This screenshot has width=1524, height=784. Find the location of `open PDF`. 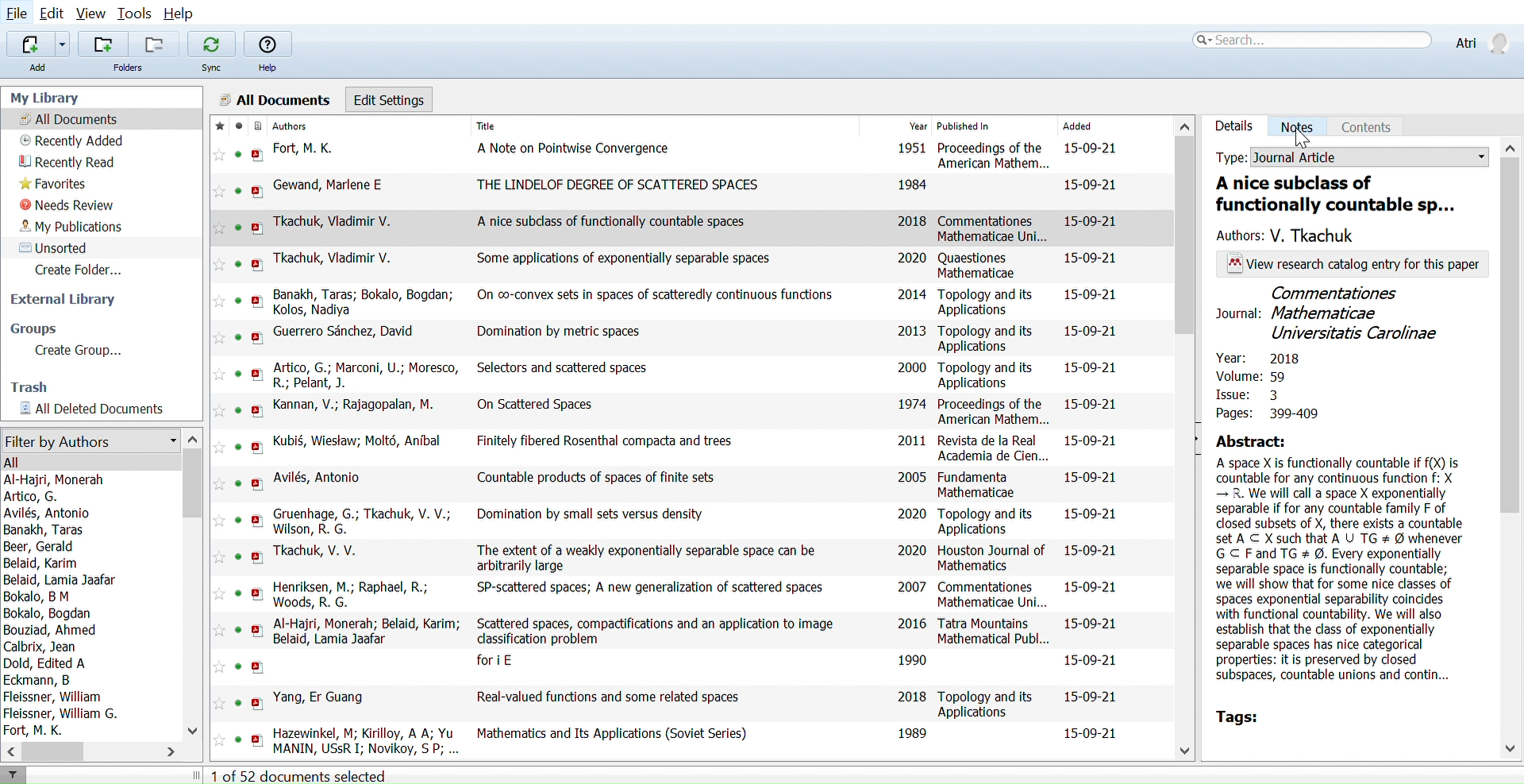

open PDF is located at coordinates (258, 410).